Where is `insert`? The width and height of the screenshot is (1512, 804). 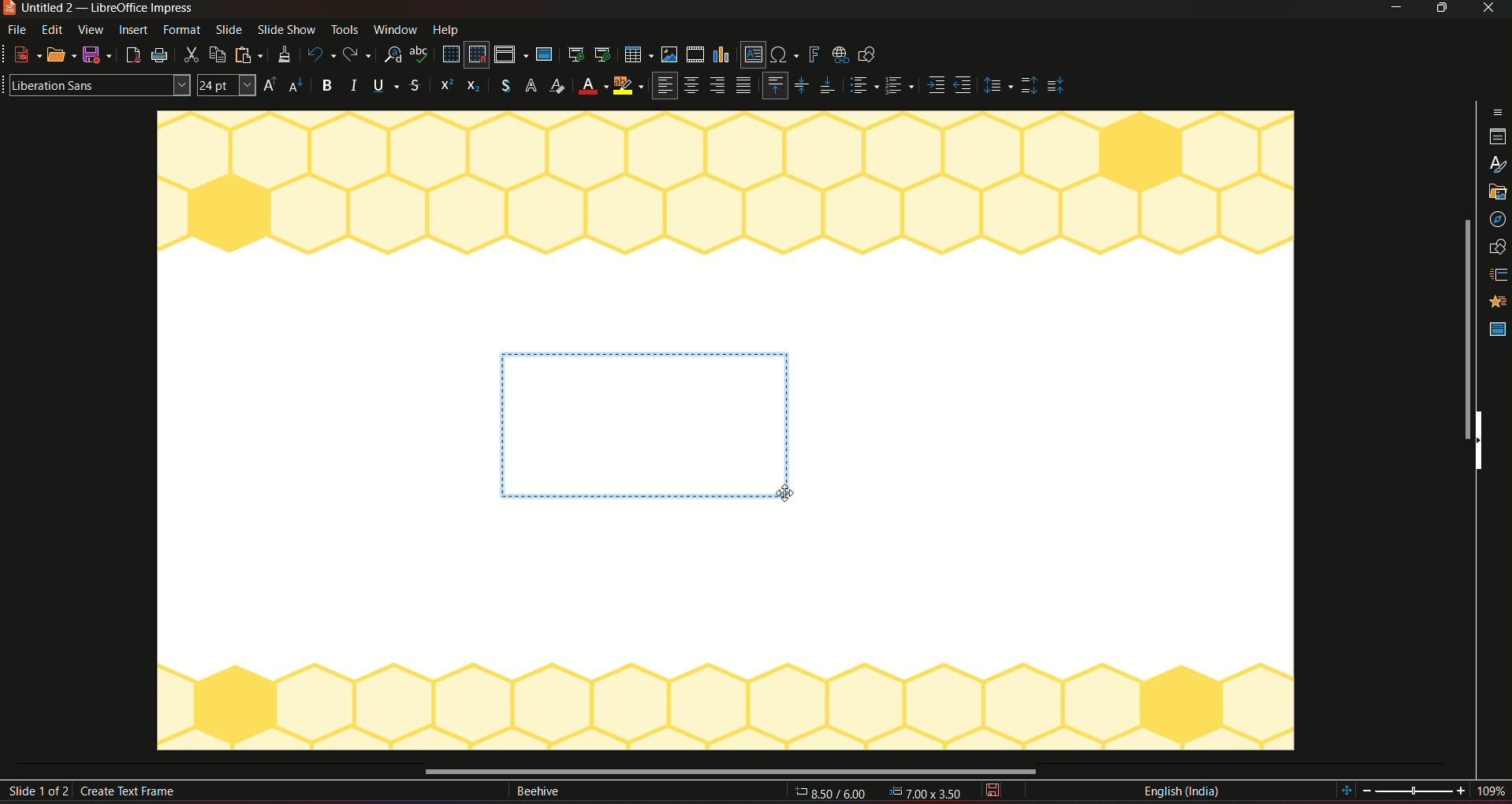 insert is located at coordinates (136, 32).